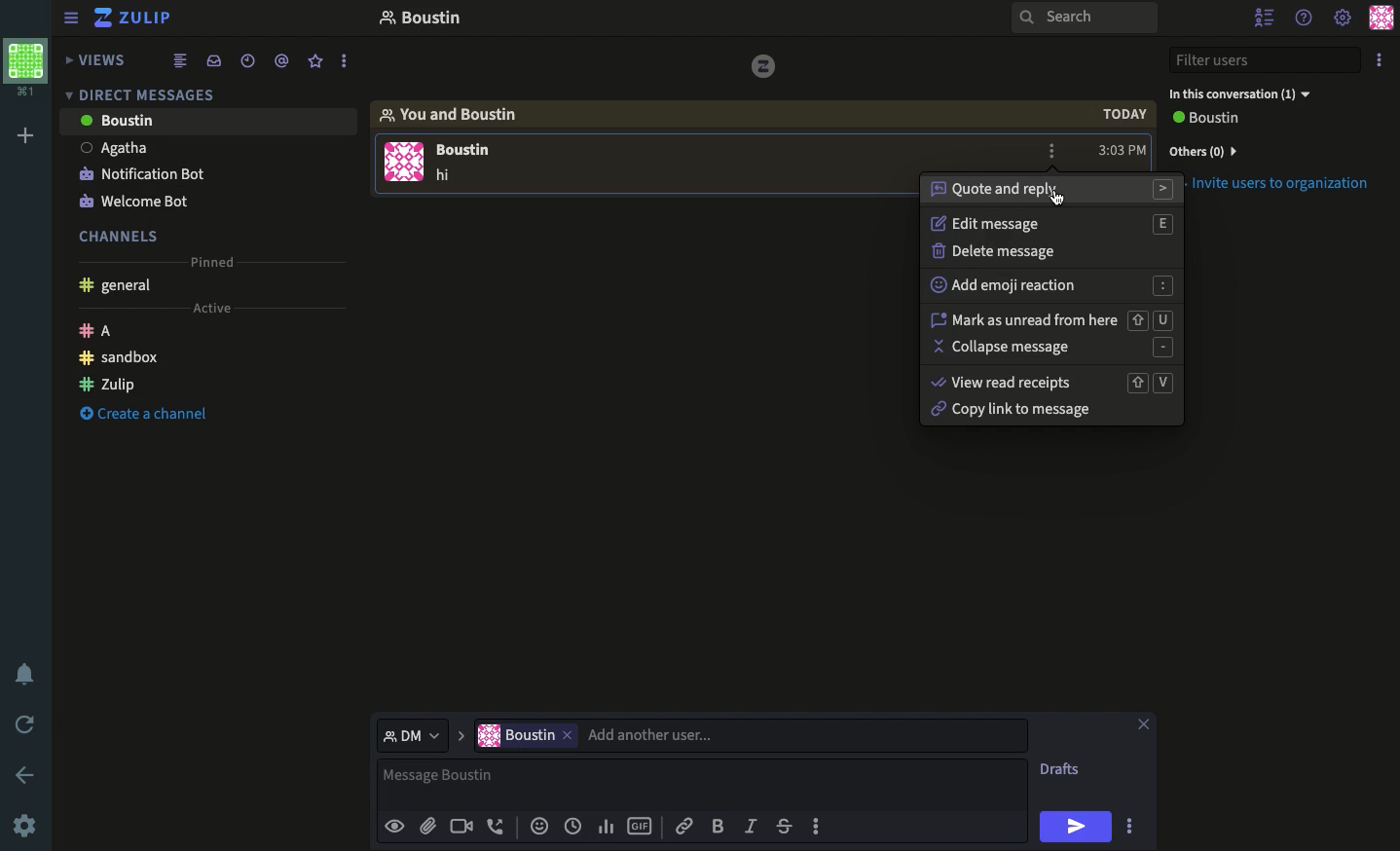 The width and height of the screenshot is (1400, 851). What do you see at coordinates (1065, 203) in the screenshot?
I see `Mouse Cursor` at bounding box center [1065, 203].